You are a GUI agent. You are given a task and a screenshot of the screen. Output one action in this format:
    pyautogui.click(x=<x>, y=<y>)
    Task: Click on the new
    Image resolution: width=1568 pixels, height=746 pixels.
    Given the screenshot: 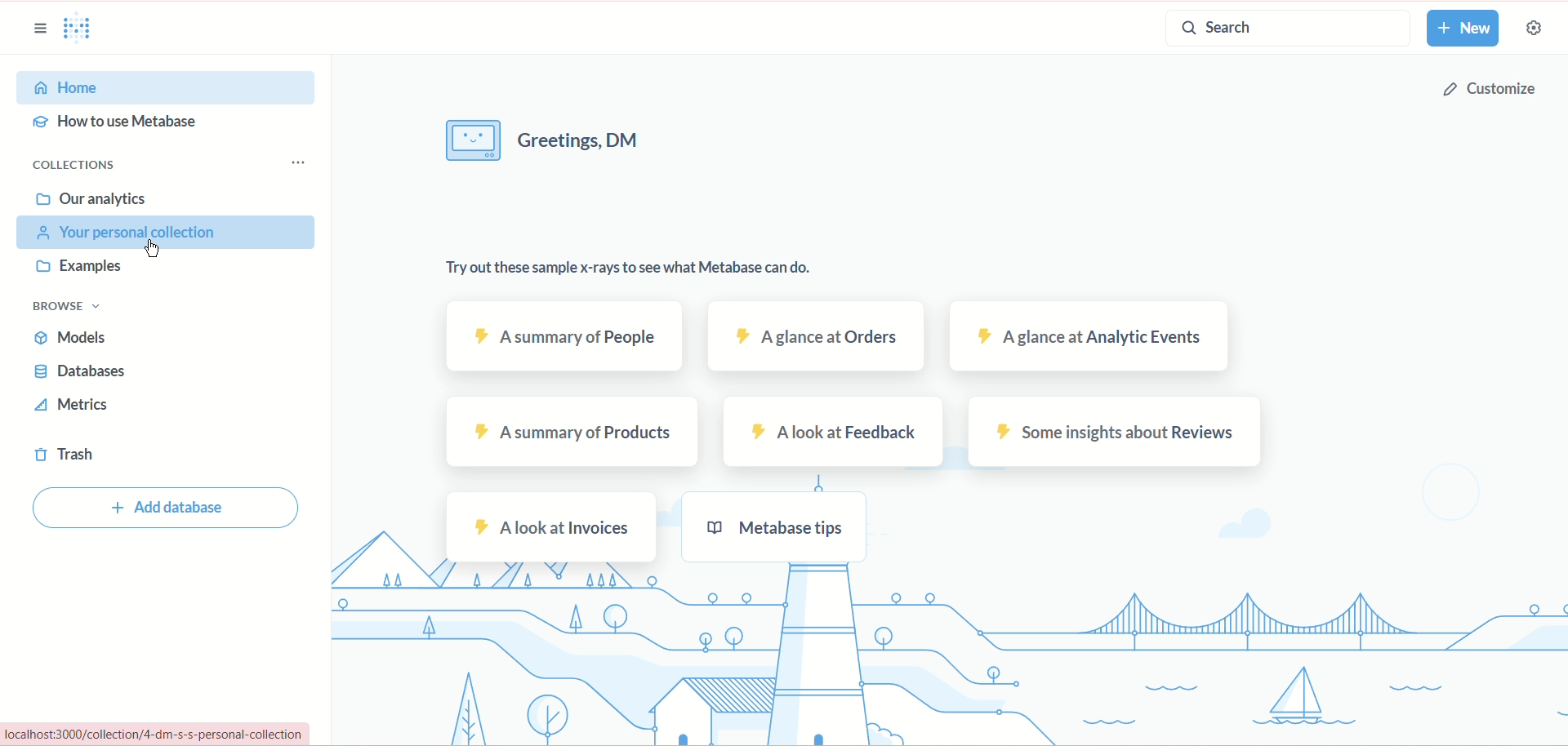 What is the action you would take?
    pyautogui.click(x=1463, y=29)
    